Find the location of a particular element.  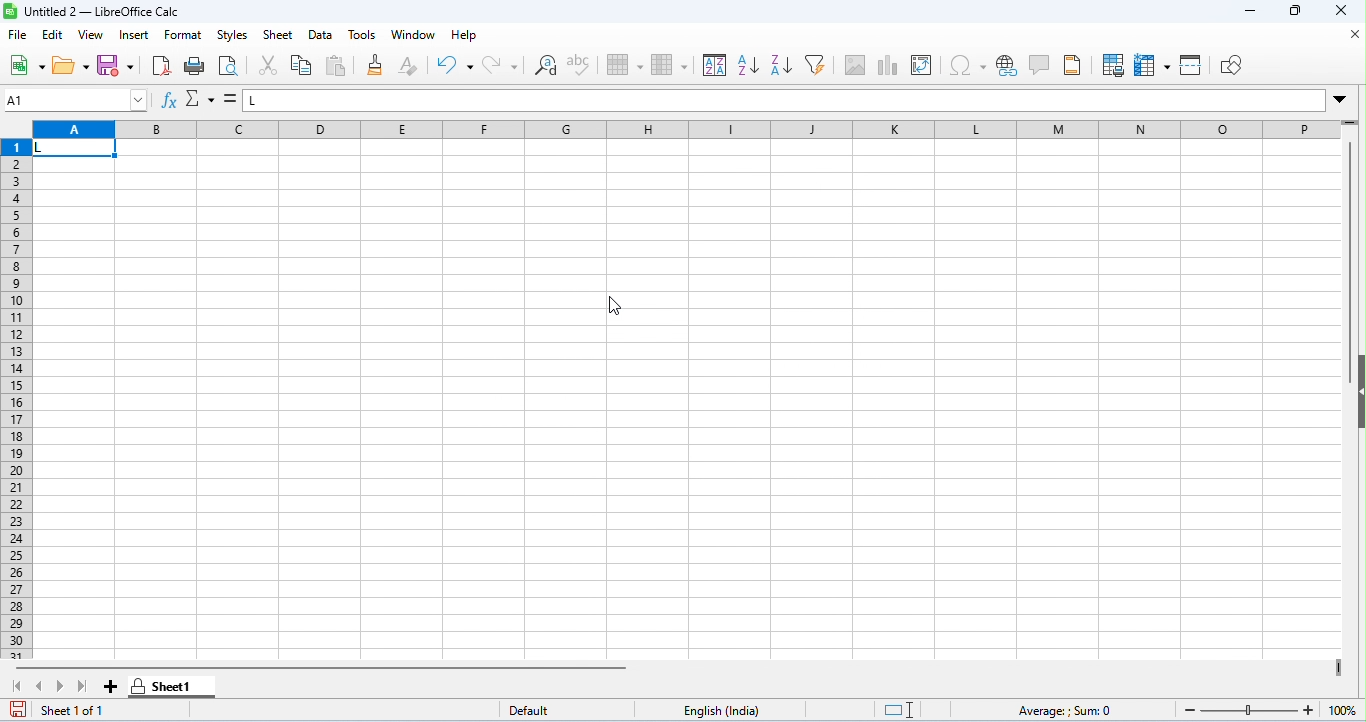

sort ascending is located at coordinates (749, 65).